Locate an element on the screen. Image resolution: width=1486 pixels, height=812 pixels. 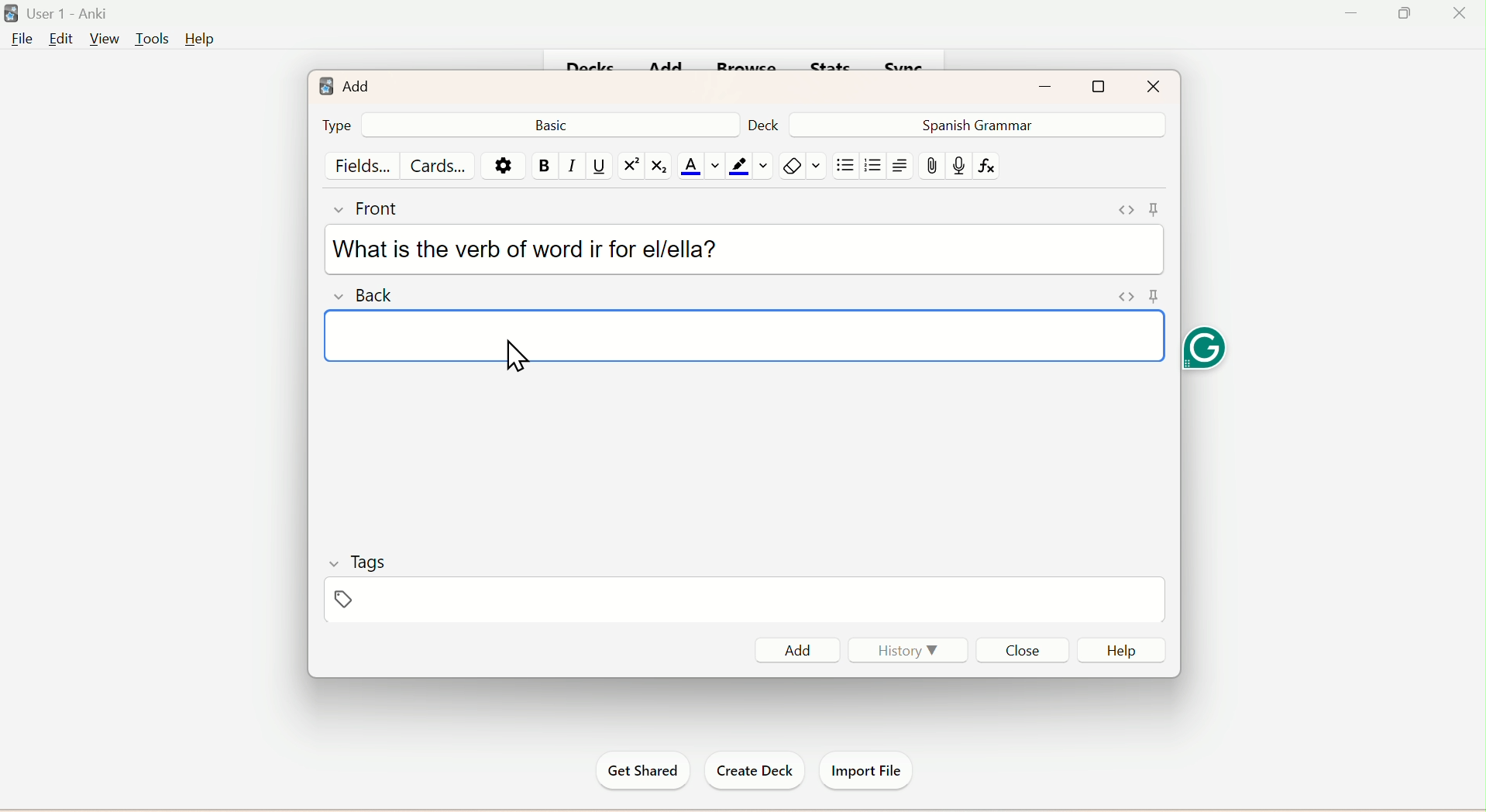
mic is located at coordinates (958, 168).